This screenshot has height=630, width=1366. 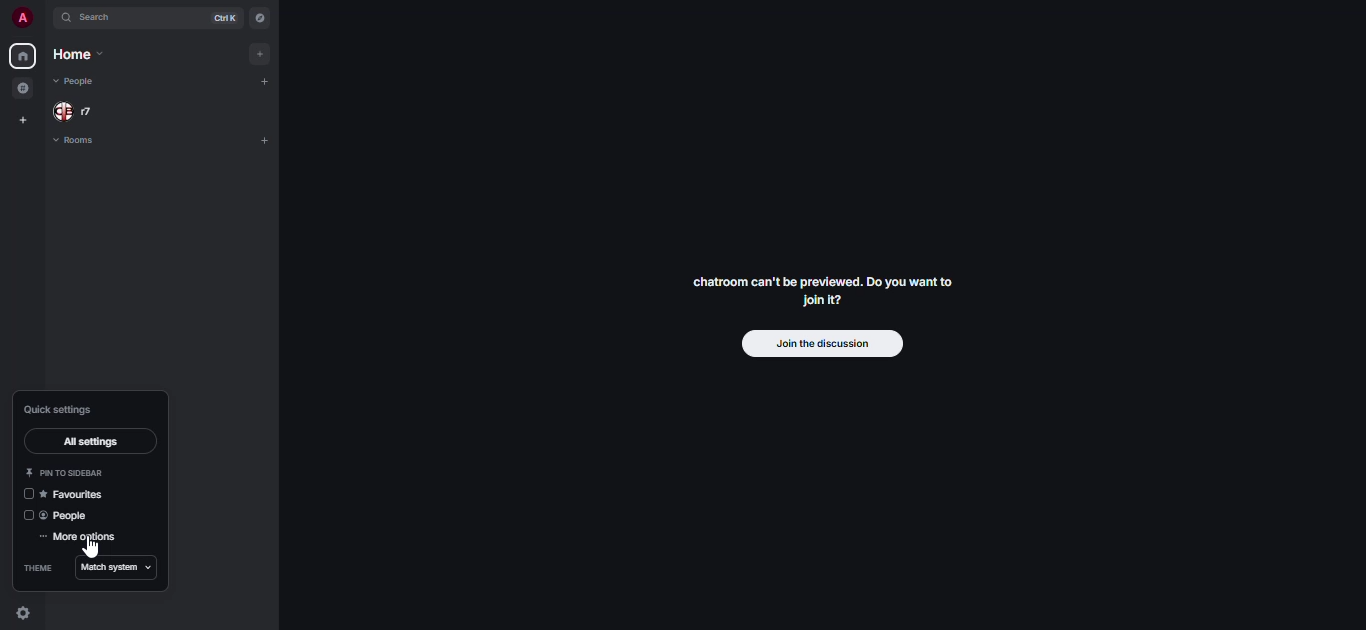 What do you see at coordinates (819, 346) in the screenshot?
I see `join the discussion` at bounding box center [819, 346].